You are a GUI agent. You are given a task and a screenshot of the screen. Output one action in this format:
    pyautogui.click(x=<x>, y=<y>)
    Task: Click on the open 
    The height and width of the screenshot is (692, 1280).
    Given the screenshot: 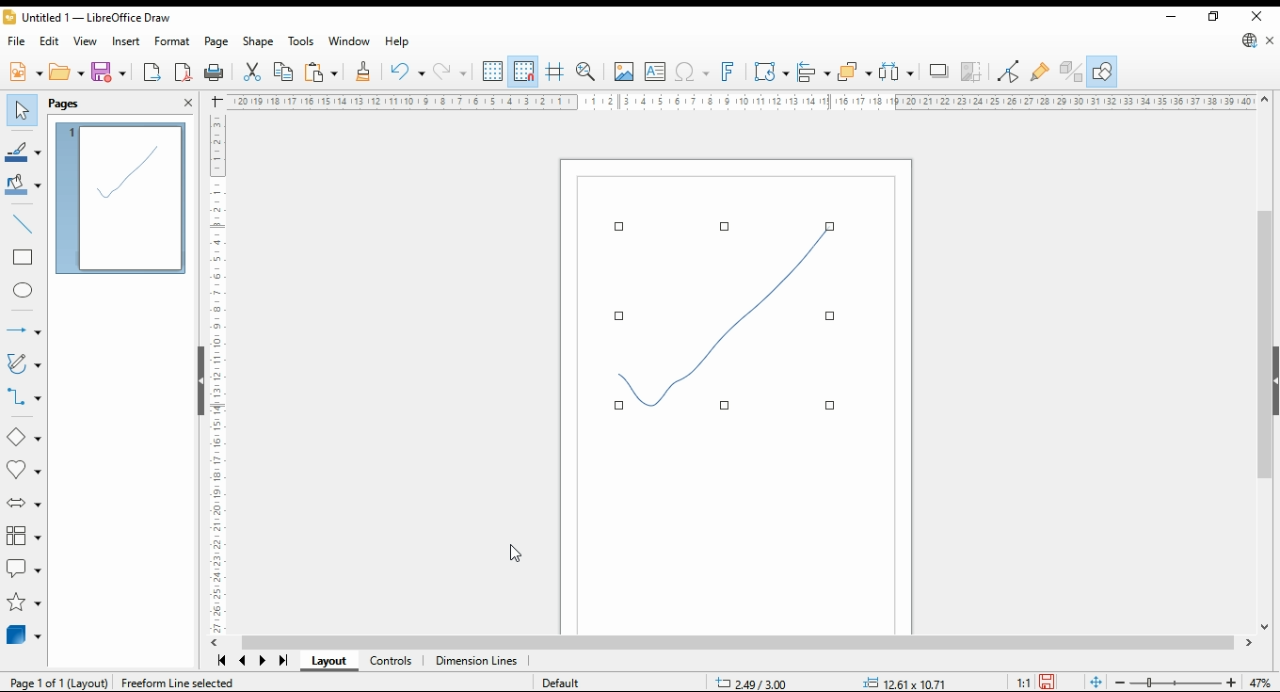 What is the action you would take?
    pyautogui.click(x=66, y=73)
    